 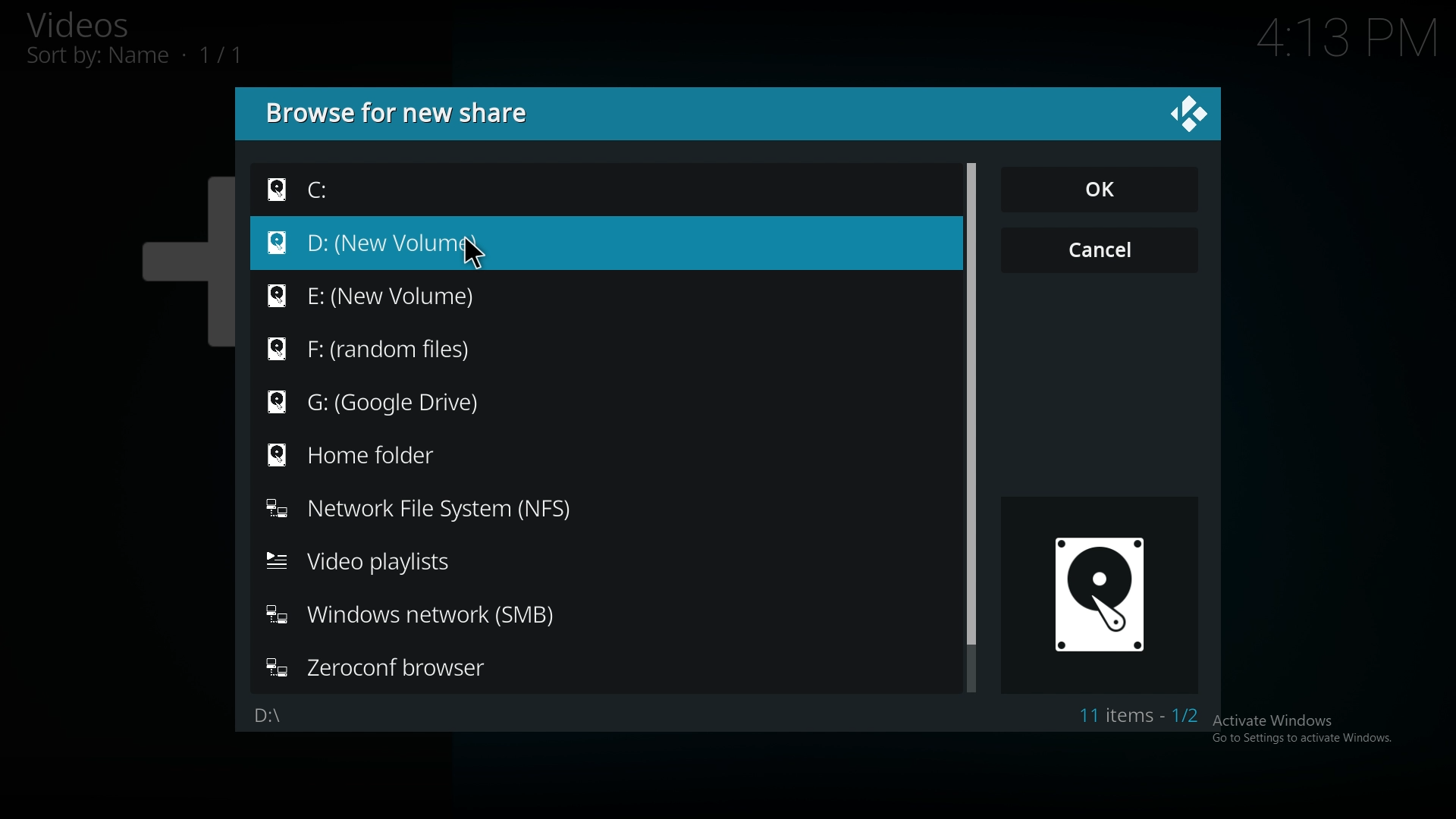 I want to click on close, so click(x=1189, y=115).